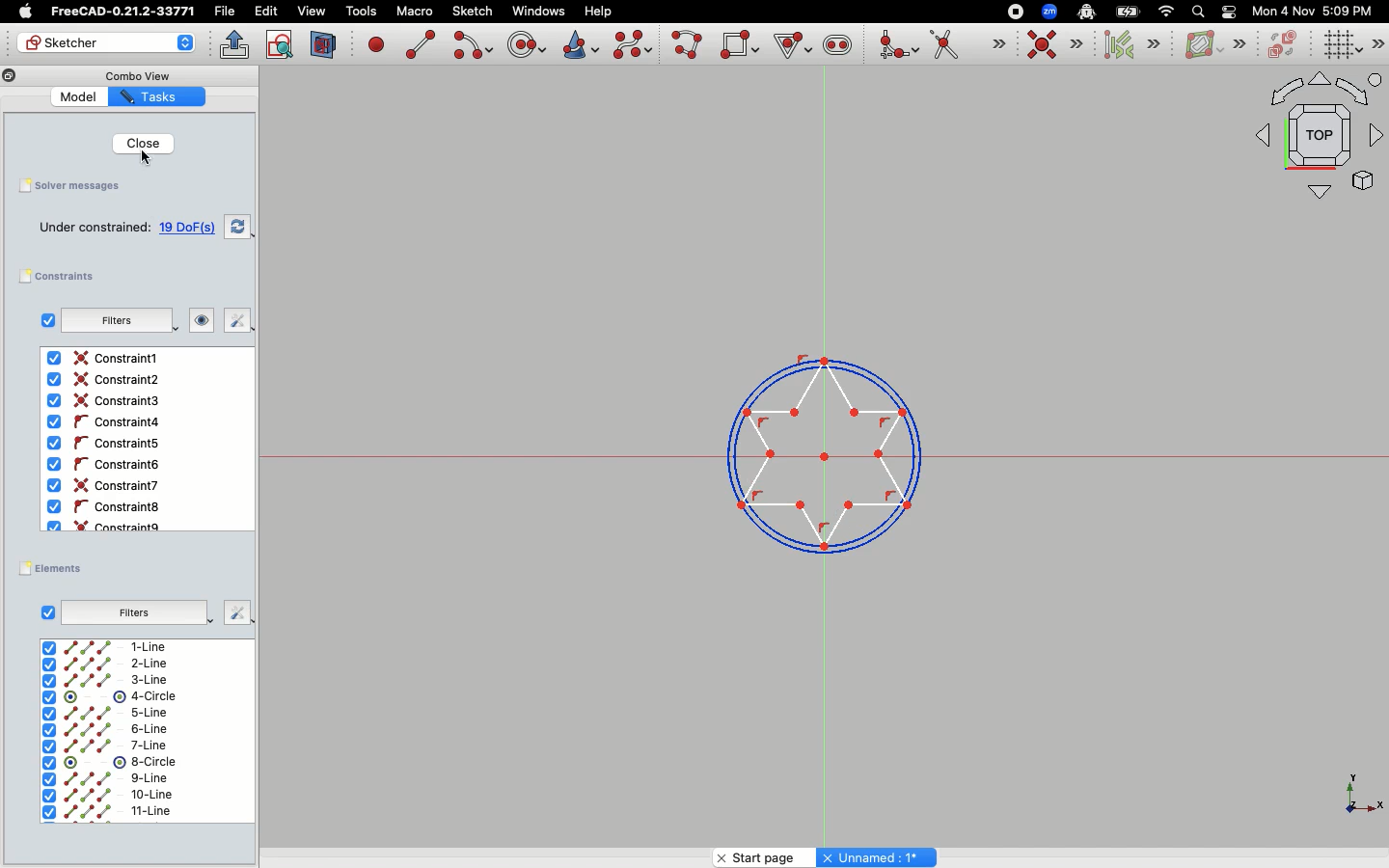 This screenshot has width=1389, height=868. What do you see at coordinates (324, 44) in the screenshot?
I see `View section` at bounding box center [324, 44].